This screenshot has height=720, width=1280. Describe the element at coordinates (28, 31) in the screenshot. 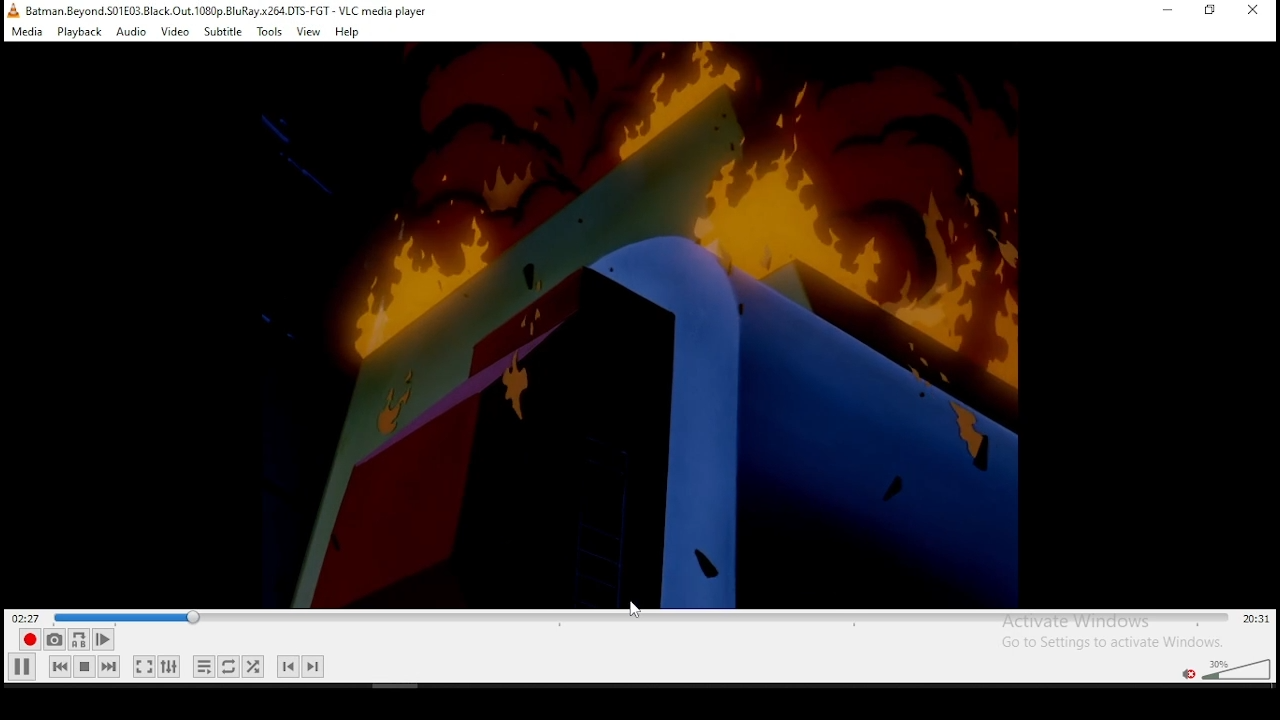

I see `media` at that location.